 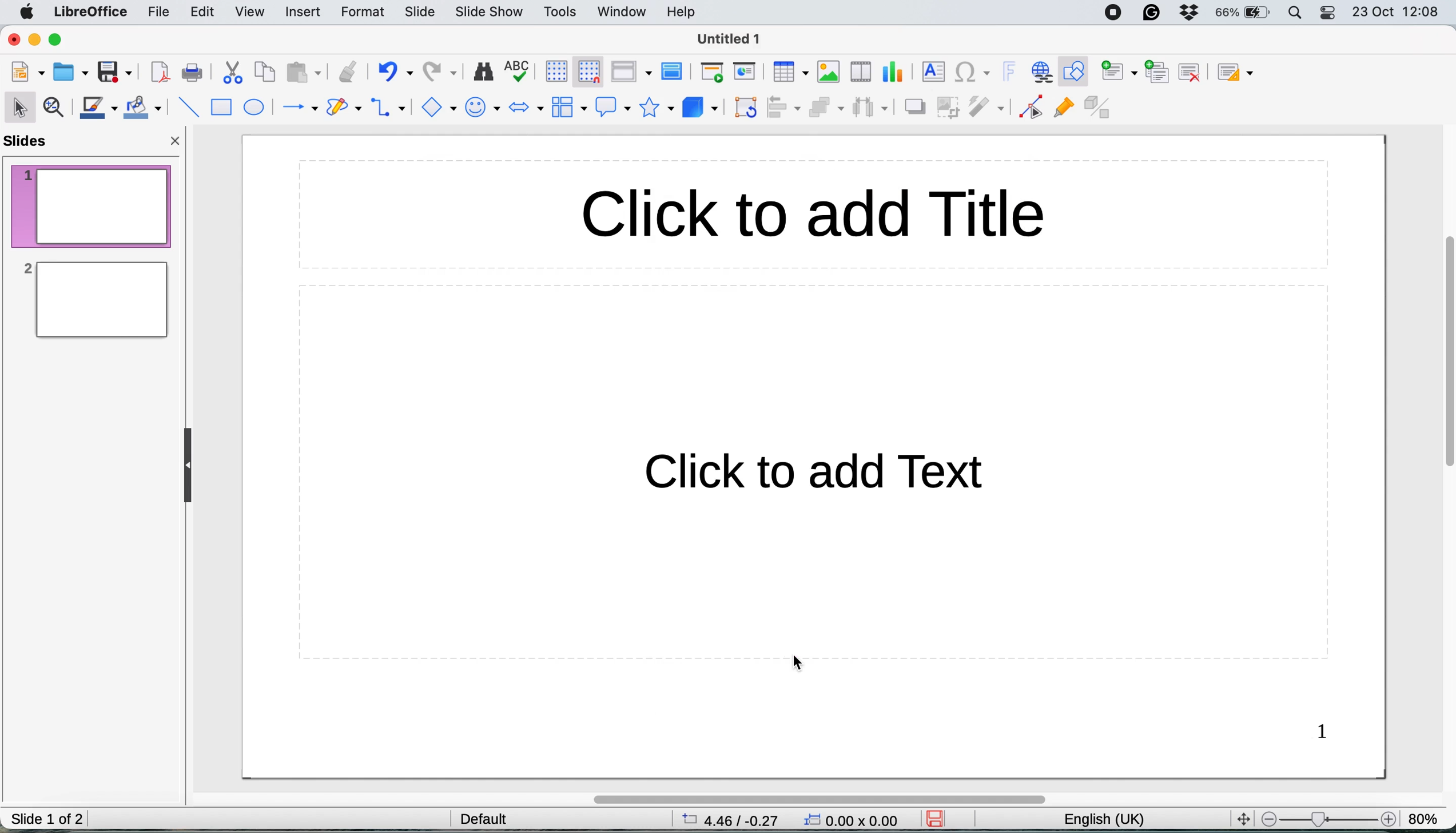 I want to click on redo, so click(x=442, y=73).